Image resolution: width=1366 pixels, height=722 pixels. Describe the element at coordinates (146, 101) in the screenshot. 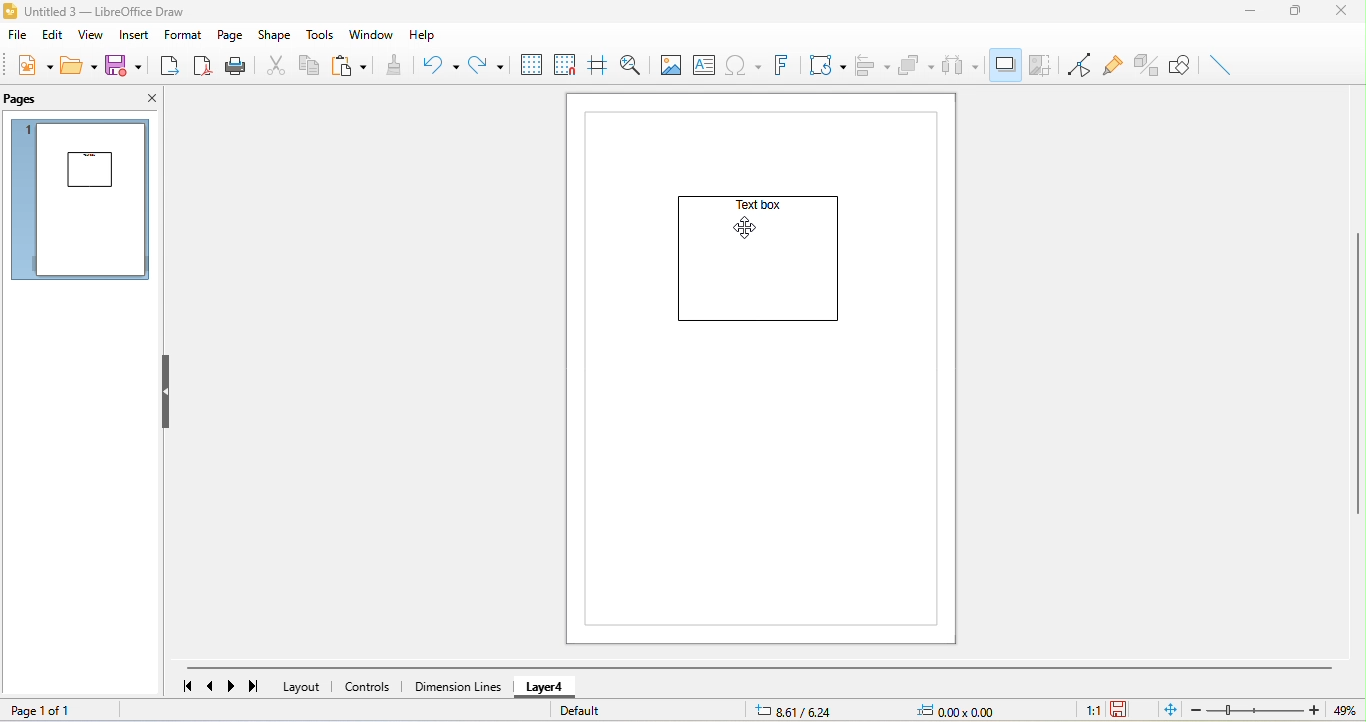

I see `close` at that location.